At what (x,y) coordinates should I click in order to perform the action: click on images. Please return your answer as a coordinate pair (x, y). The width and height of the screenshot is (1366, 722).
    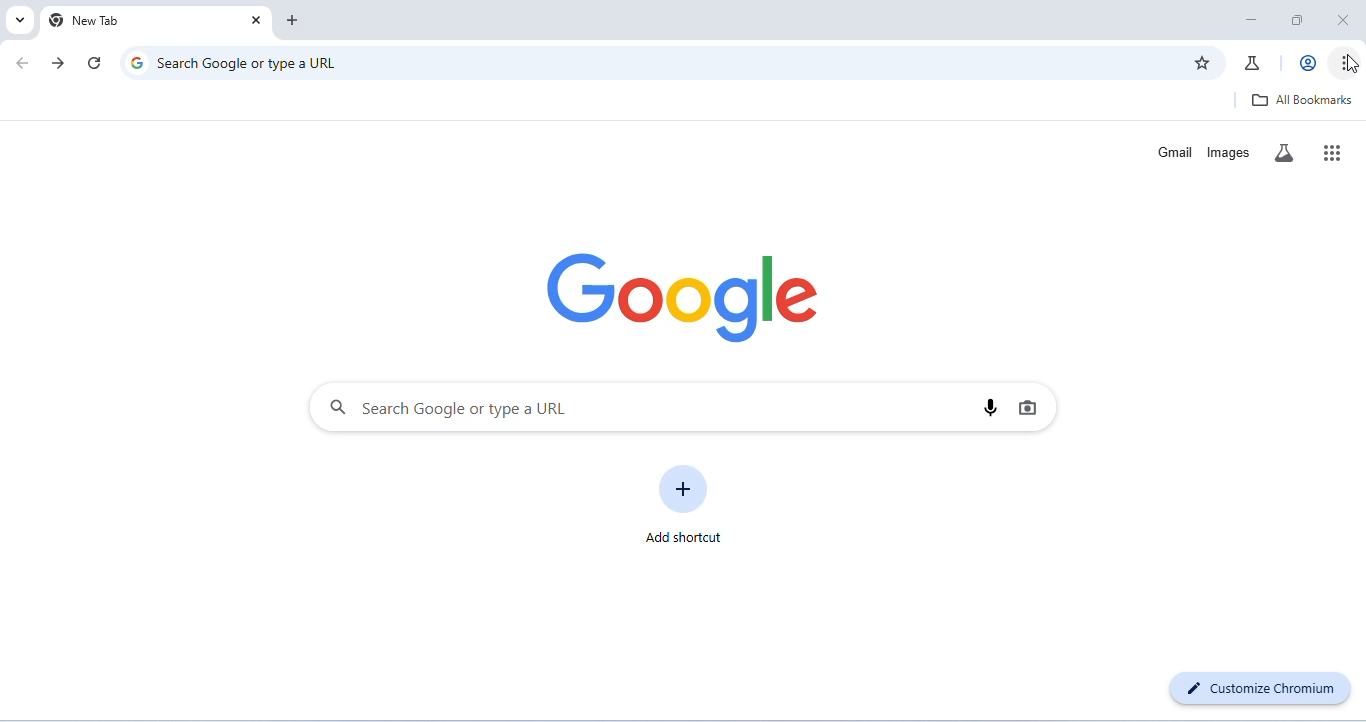
    Looking at the image, I should click on (1229, 151).